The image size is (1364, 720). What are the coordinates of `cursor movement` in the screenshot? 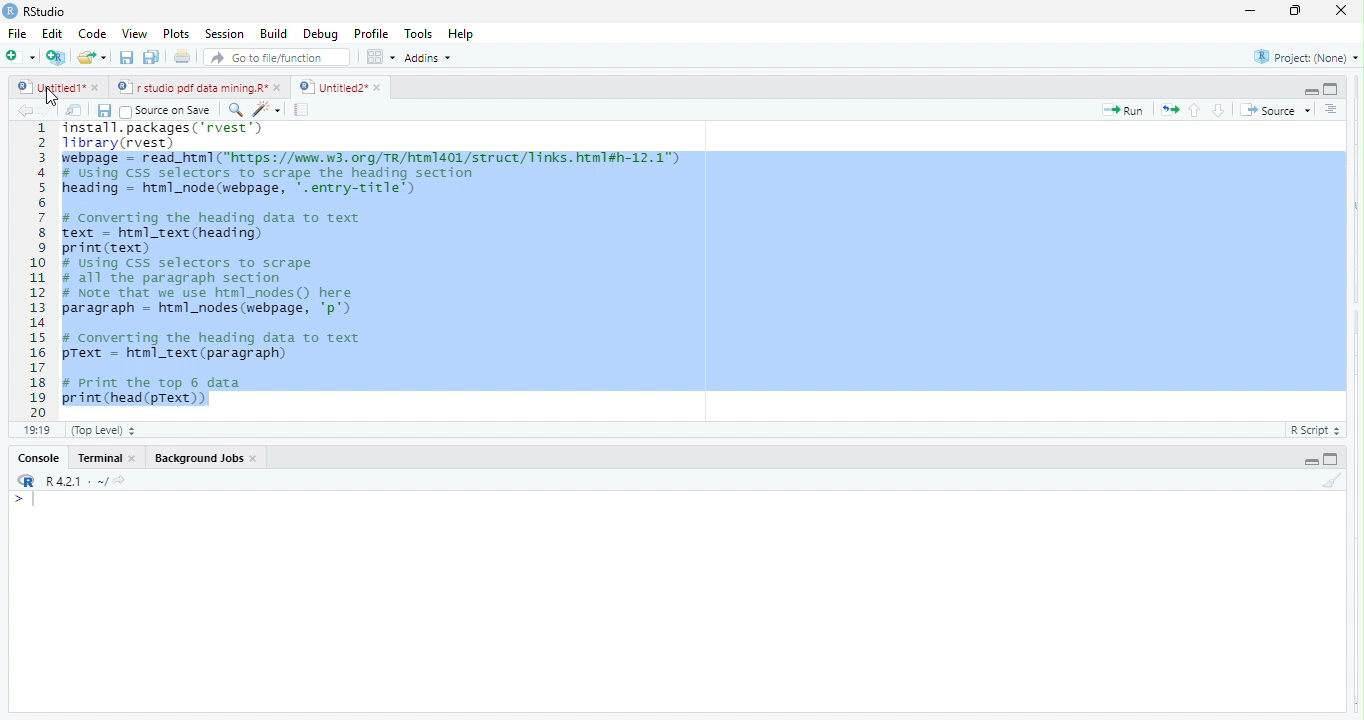 It's located at (52, 97).